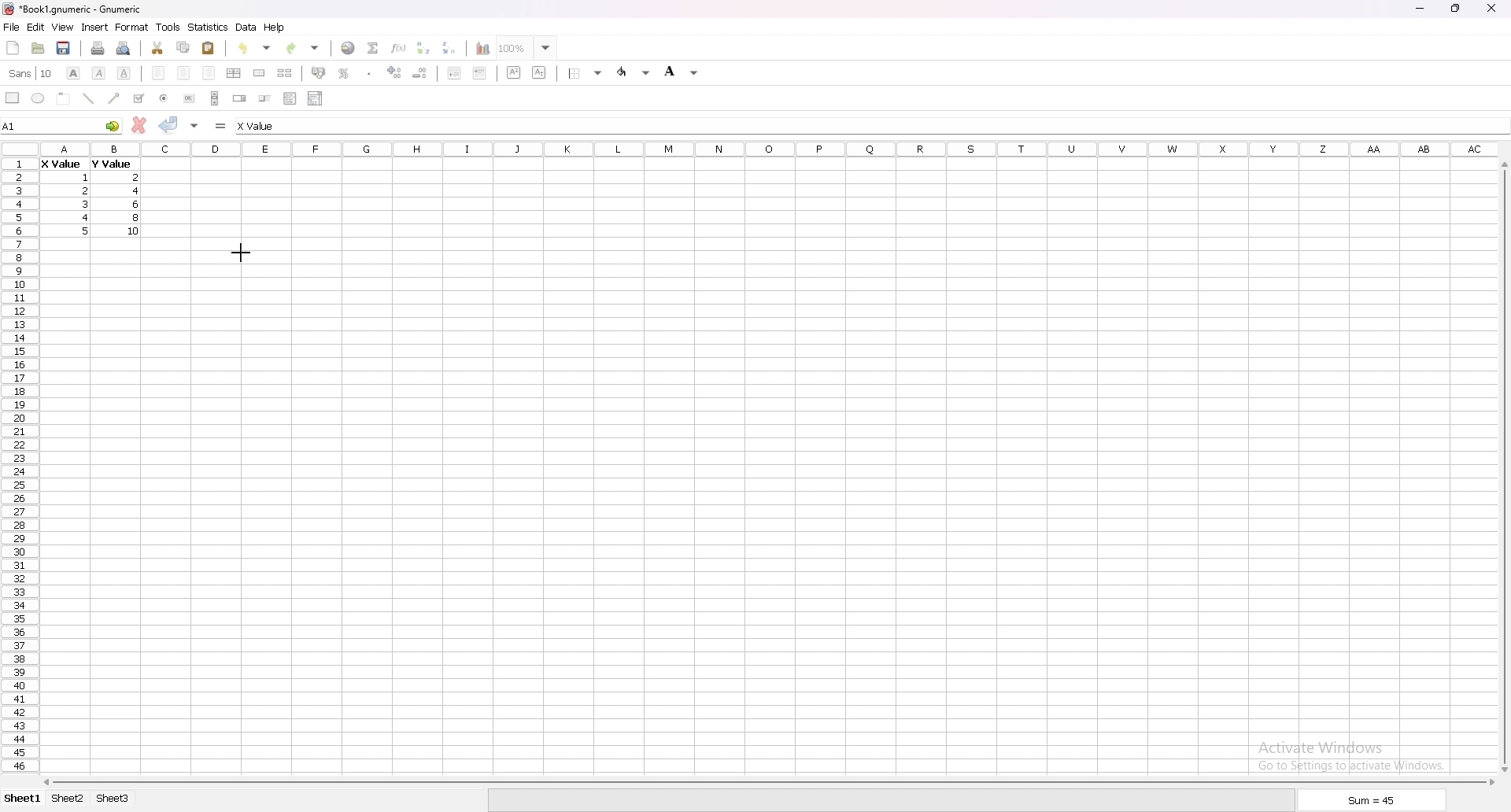  What do you see at coordinates (1491, 8) in the screenshot?
I see `close` at bounding box center [1491, 8].